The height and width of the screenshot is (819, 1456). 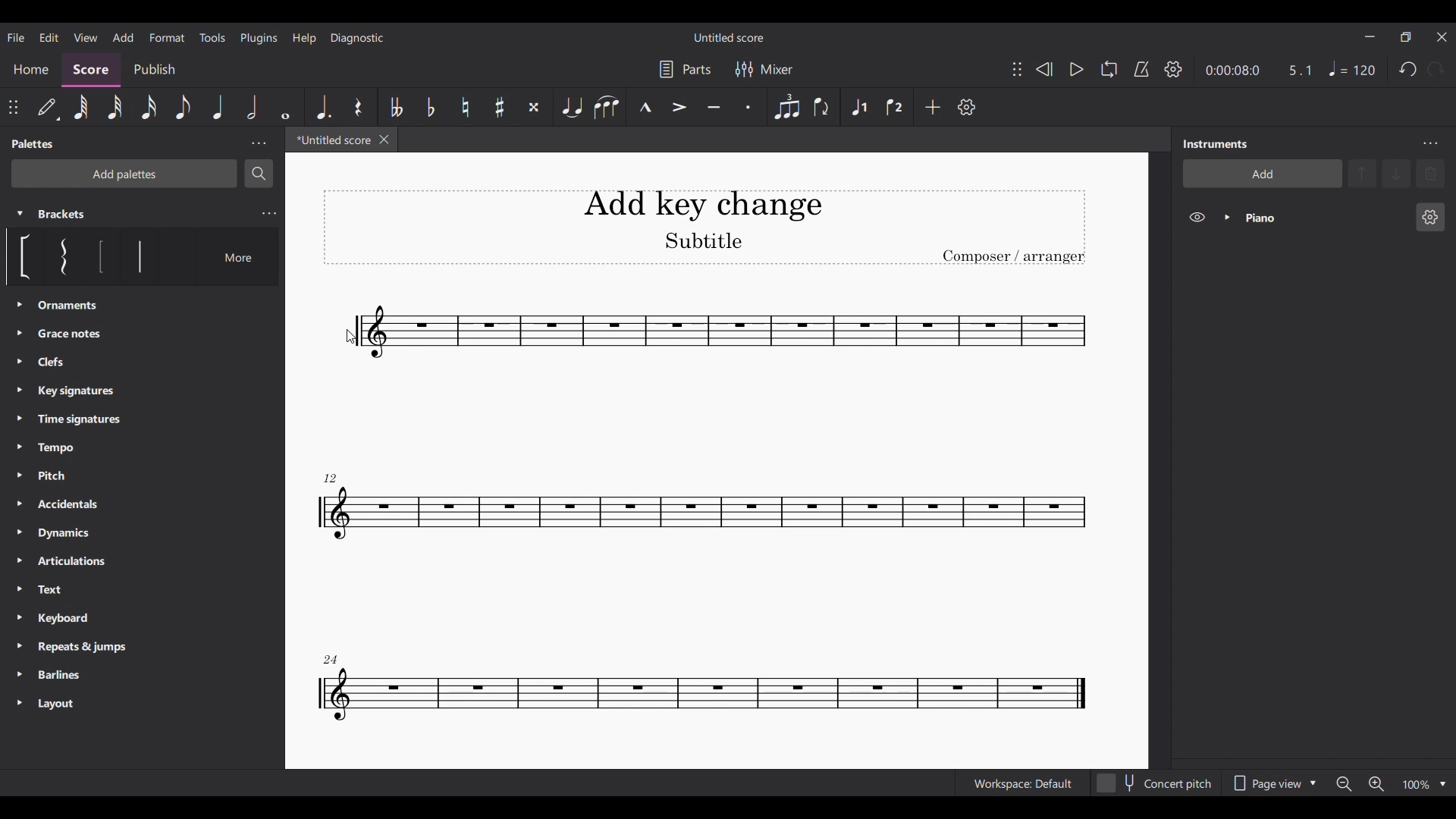 I want to click on Toggle flat, so click(x=431, y=108).